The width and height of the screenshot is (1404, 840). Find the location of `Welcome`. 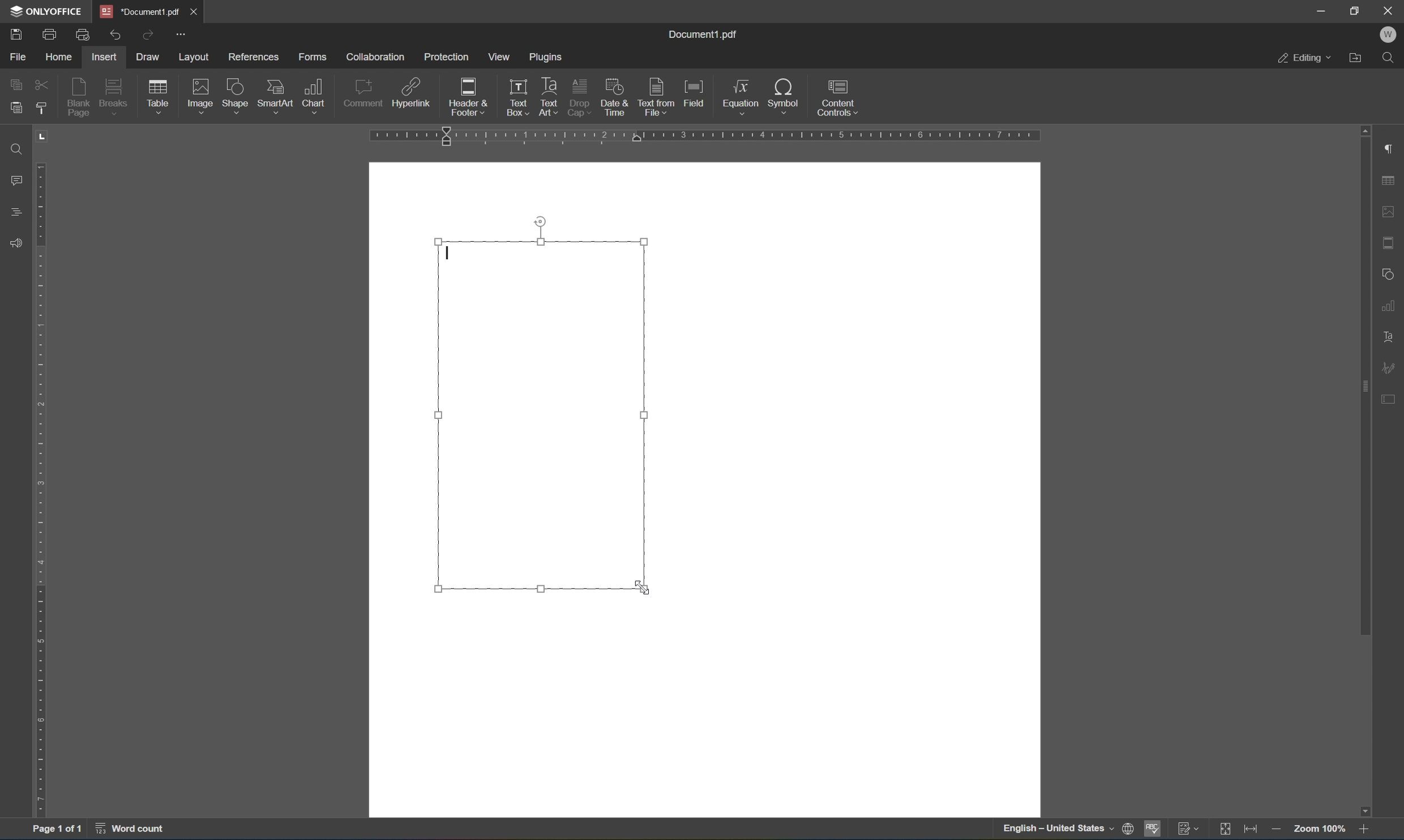

Welcome is located at coordinates (1390, 36).